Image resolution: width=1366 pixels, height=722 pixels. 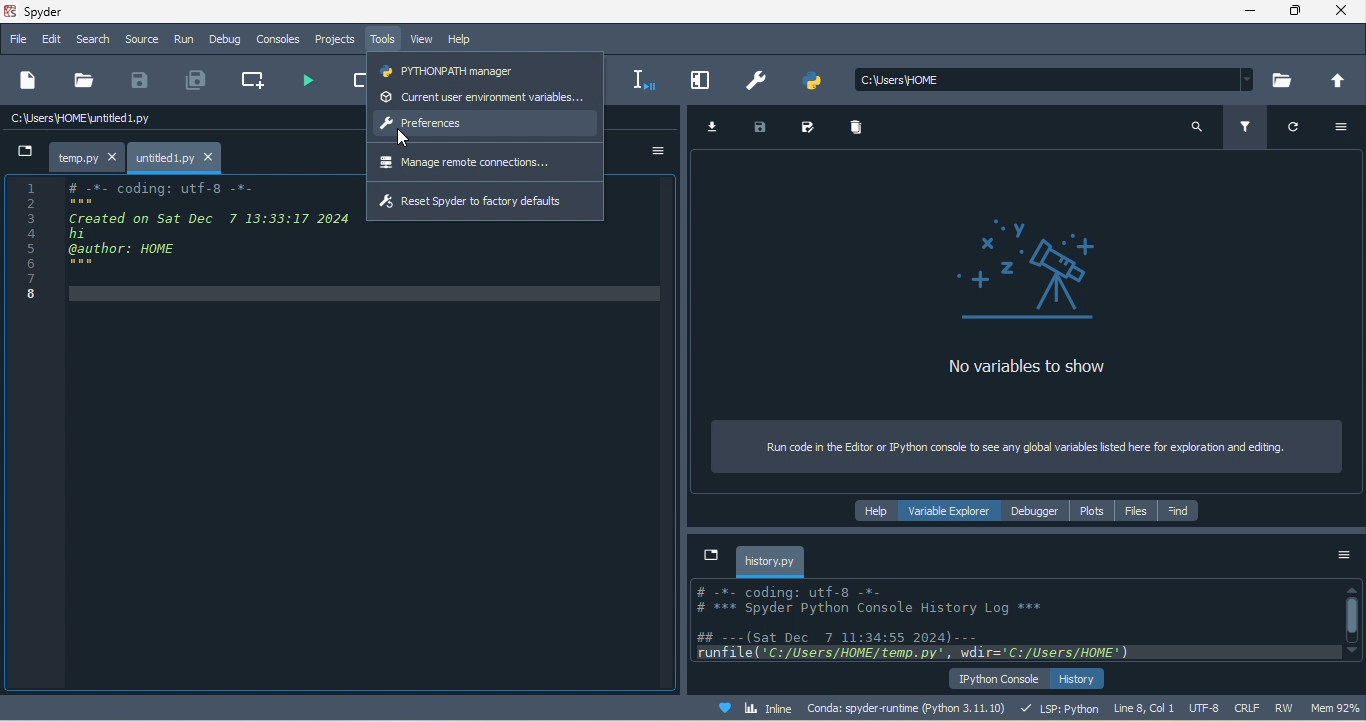 What do you see at coordinates (143, 81) in the screenshot?
I see `save` at bounding box center [143, 81].